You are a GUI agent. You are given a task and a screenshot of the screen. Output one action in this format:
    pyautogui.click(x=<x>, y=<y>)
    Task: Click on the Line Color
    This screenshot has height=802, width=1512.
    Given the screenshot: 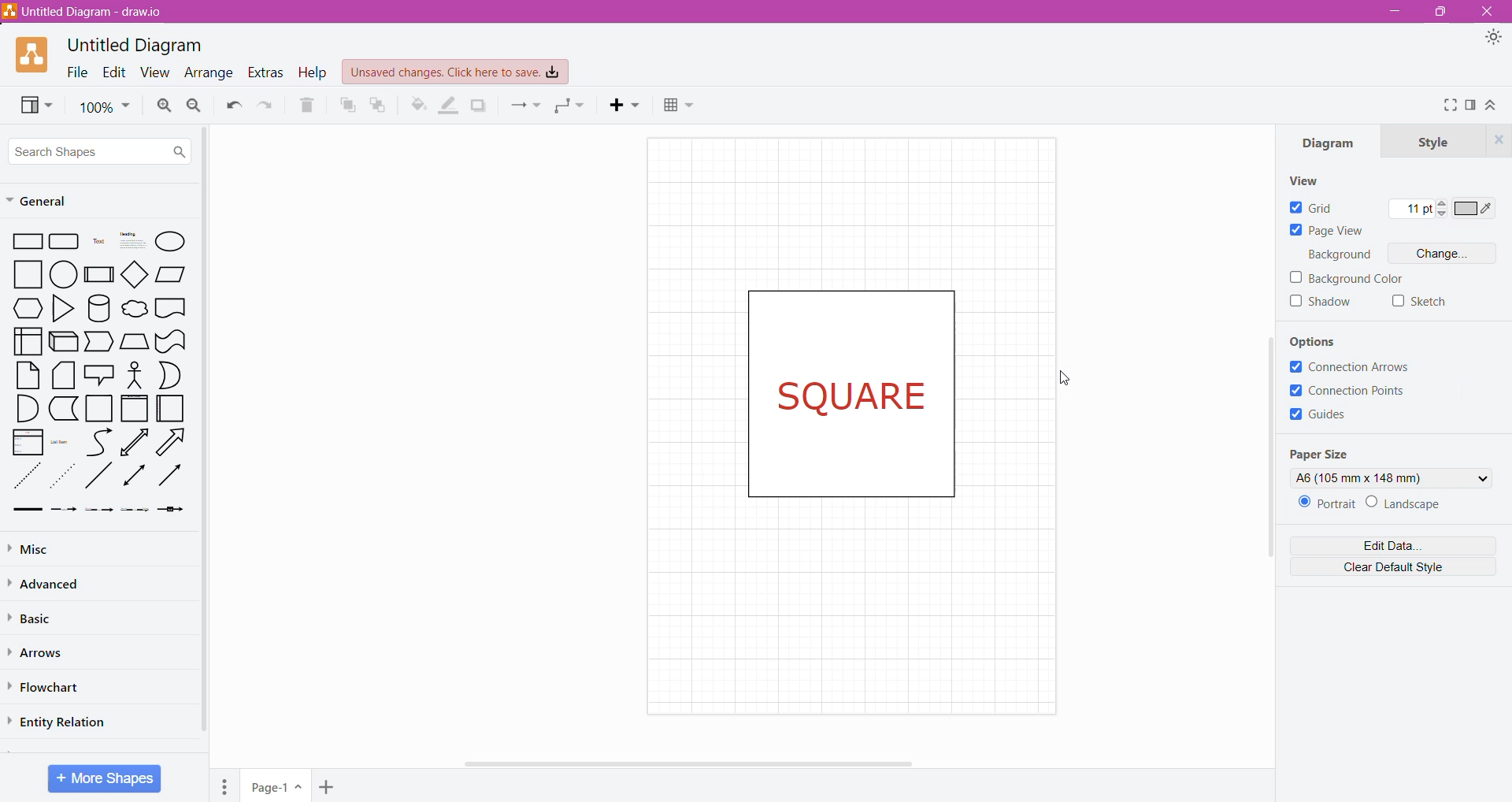 What is the action you would take?
    pyautogui.click(x=449, y=106)
    